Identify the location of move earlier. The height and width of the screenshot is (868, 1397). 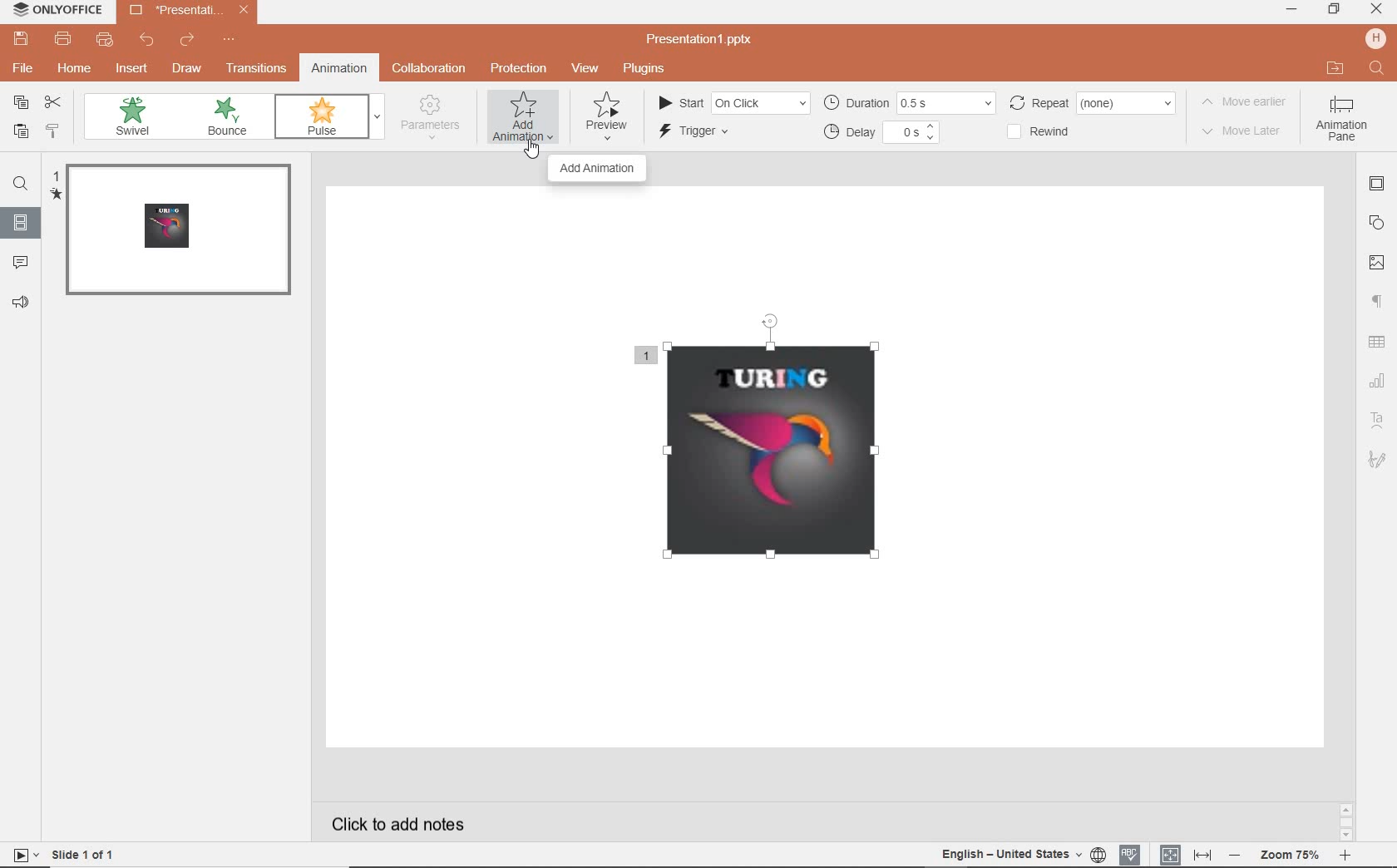
(1242, 101).